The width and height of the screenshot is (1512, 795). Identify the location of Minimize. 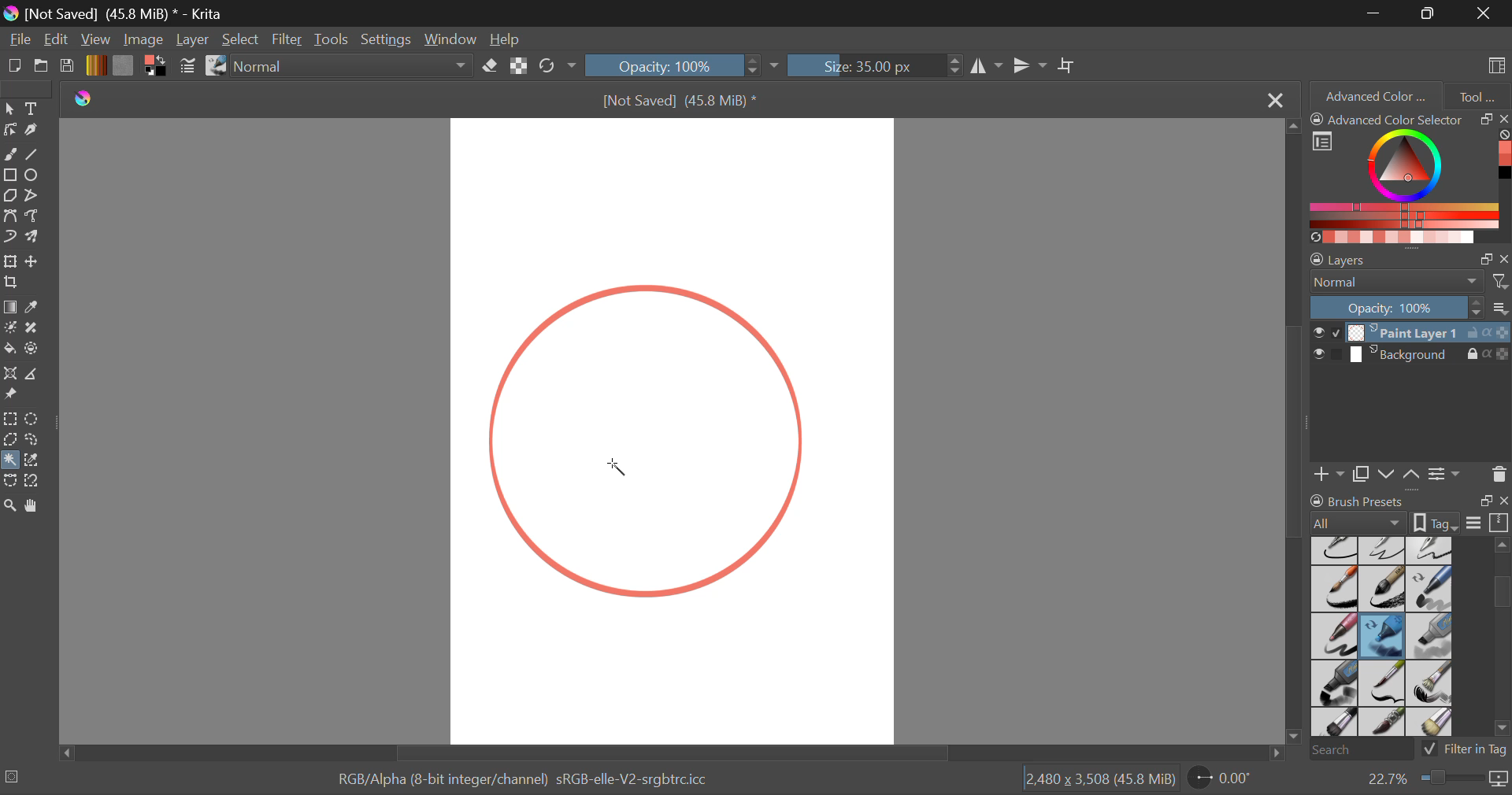
(1431, 13).